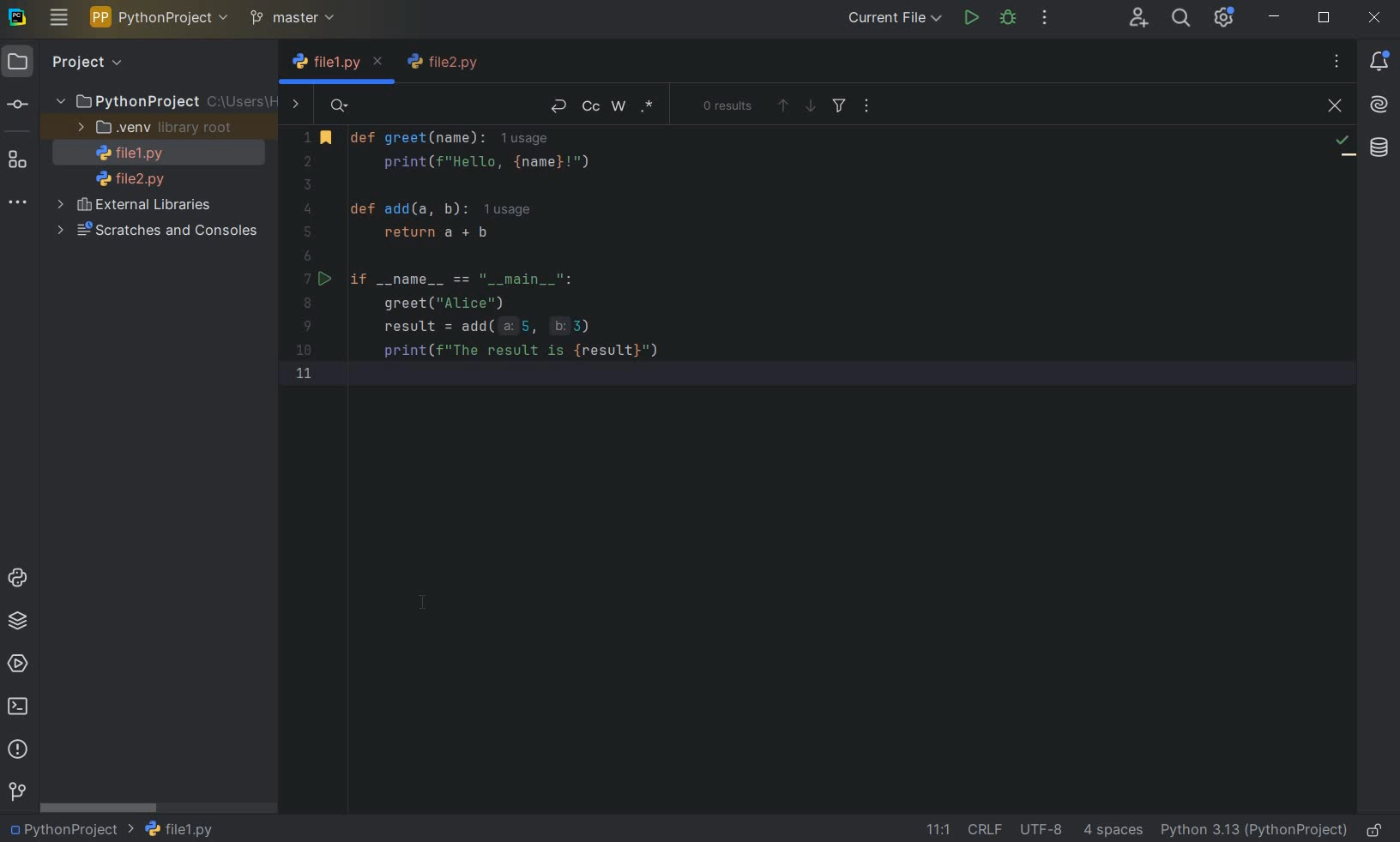  What do you see at coordinates (649, 108) in the screenshot?
I see `REGEX` at bounding box center [649, 108].